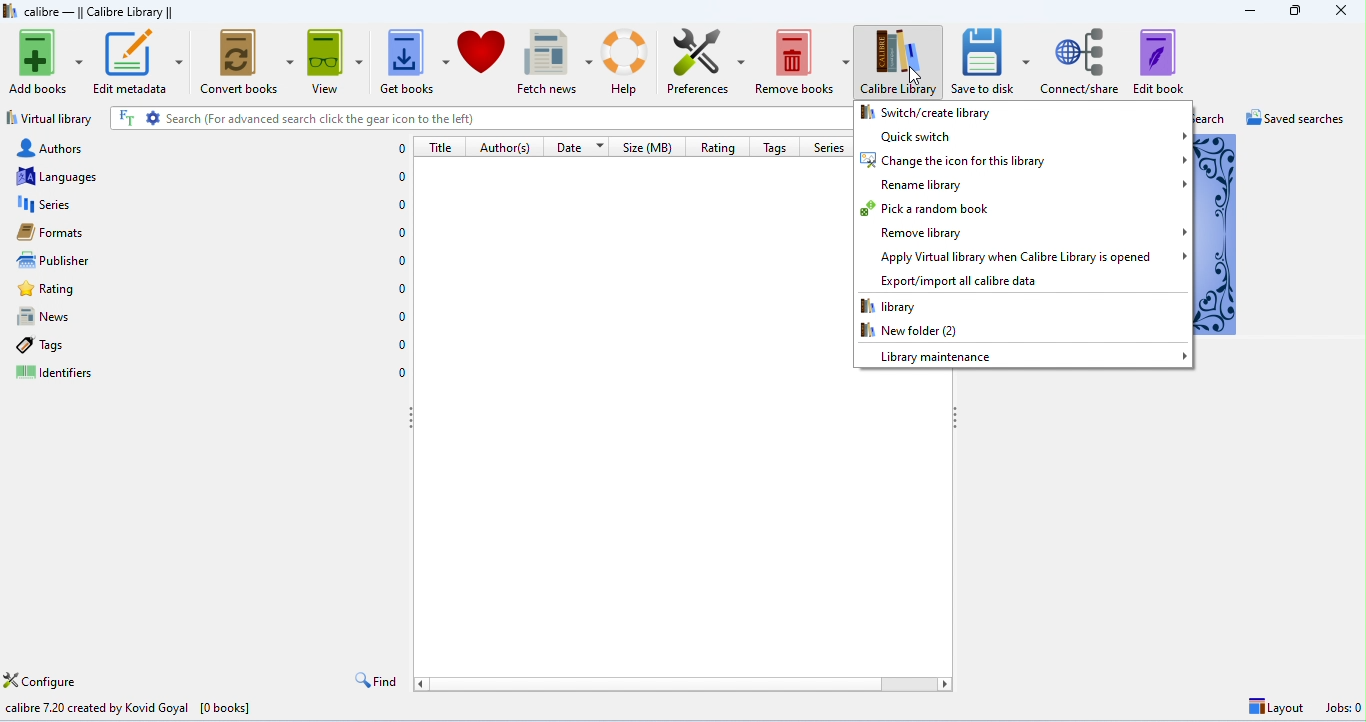 The width and height of the screenshot is (1366, 722). I want to click on edit book, so click(1159, 61).